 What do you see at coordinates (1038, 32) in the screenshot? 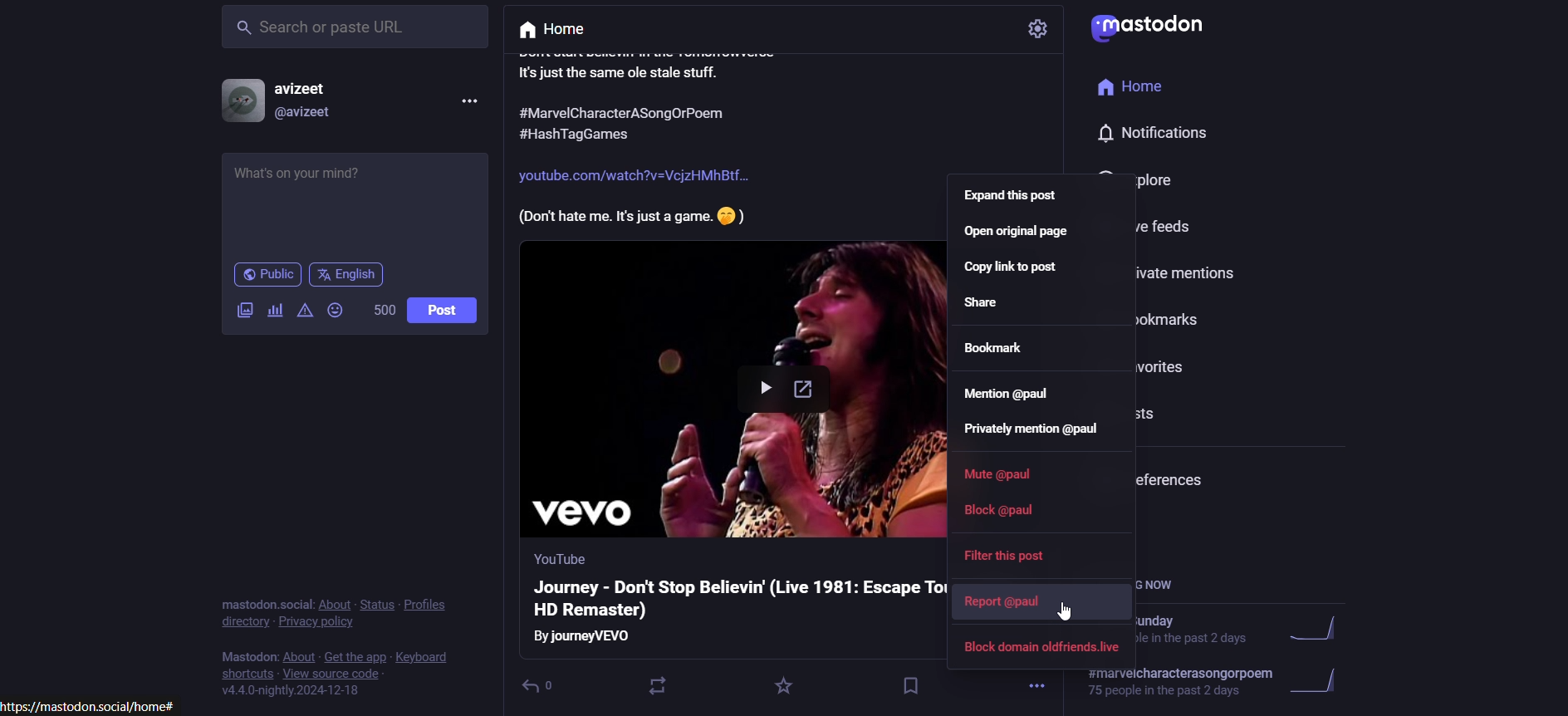
I see `more` at bounding box center [1038, 32].